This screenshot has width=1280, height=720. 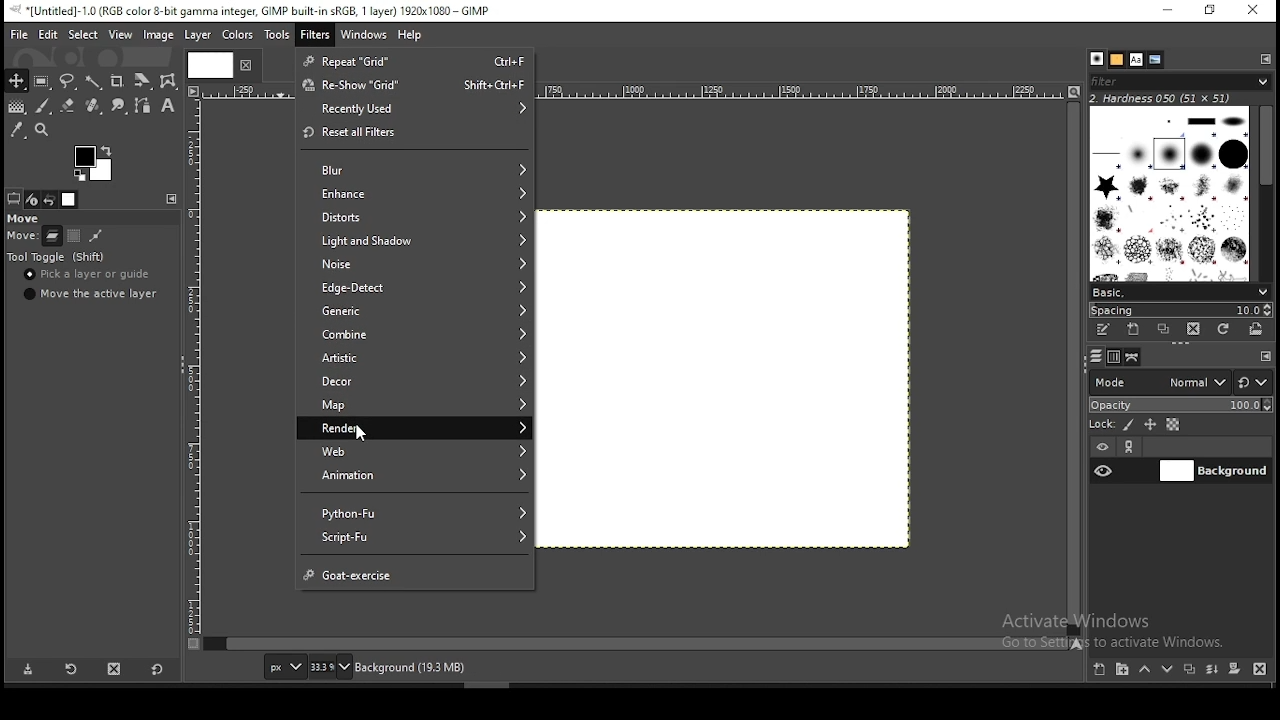 I want to click on filters, so click(x=315, y=35).